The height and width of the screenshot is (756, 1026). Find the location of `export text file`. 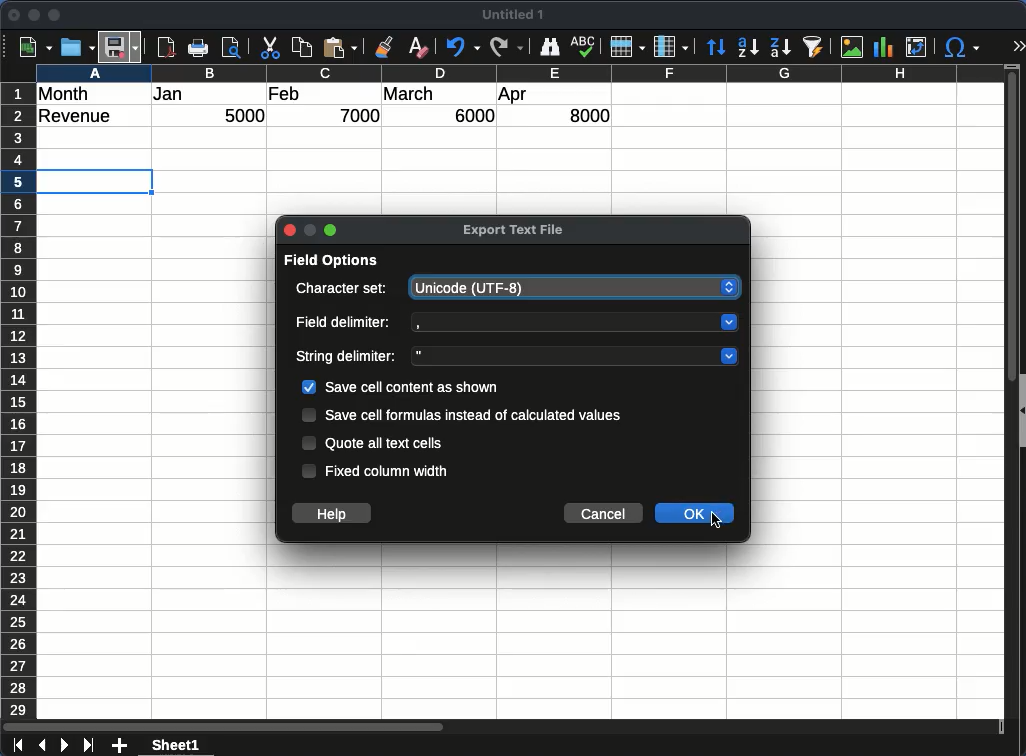

export text file is located at coordinates (515, 228).